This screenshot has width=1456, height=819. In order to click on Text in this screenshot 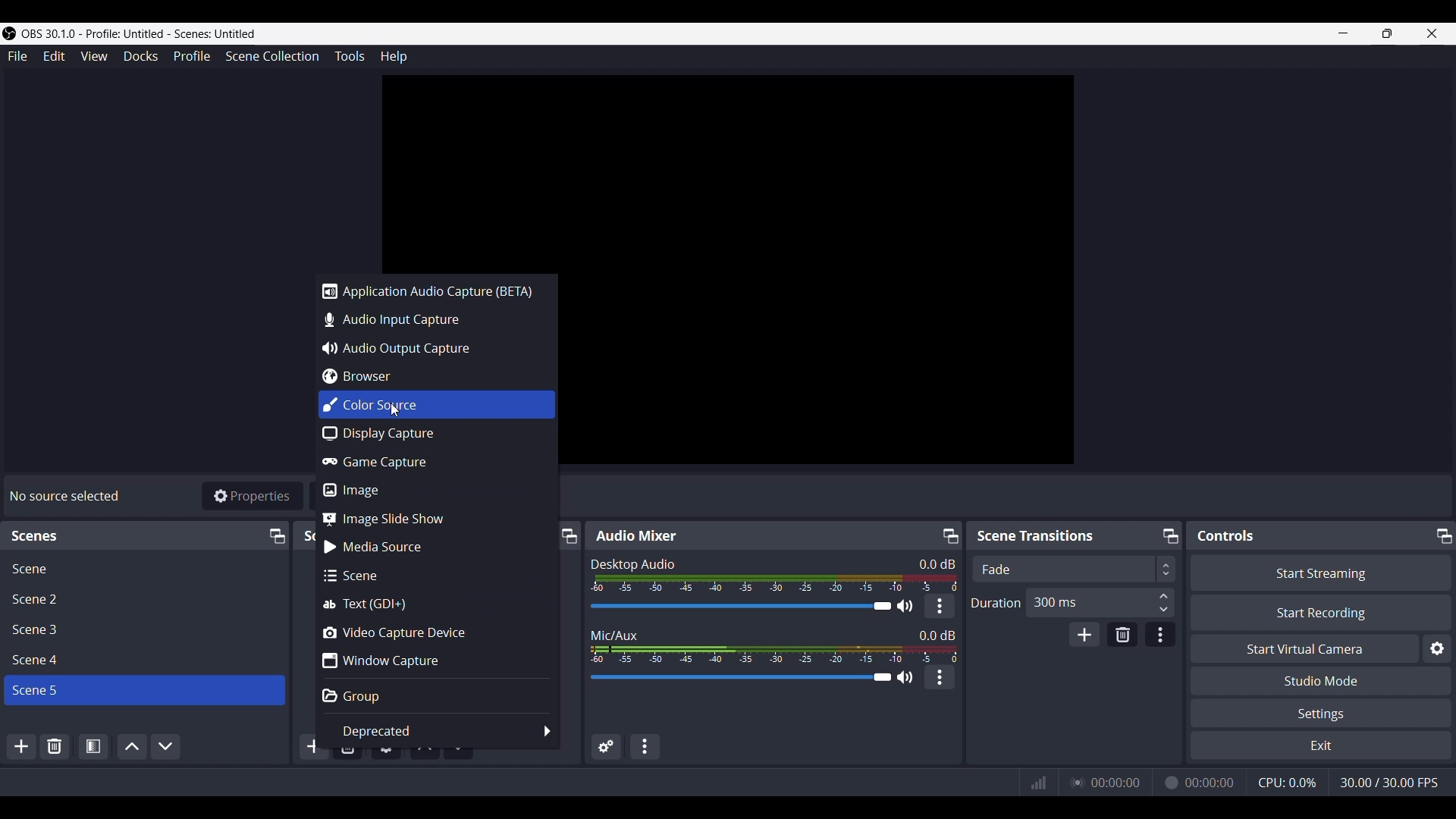, I will do `click(632, 563)`.